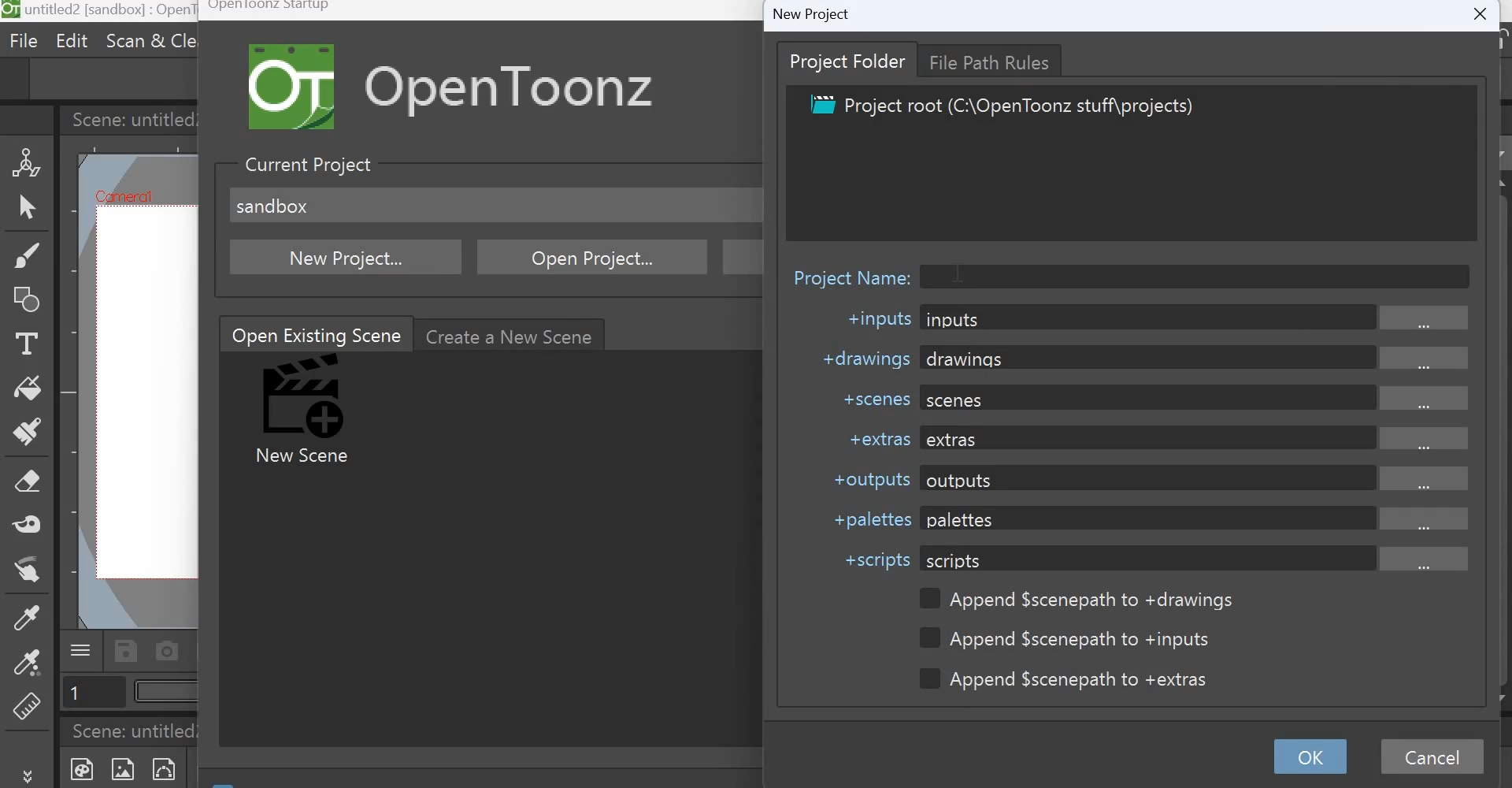 The height and width of the screenshot is (788, 1512). Describe the element at coordinates (126, 651) in the screenshot. I see `Save scene` at that location.